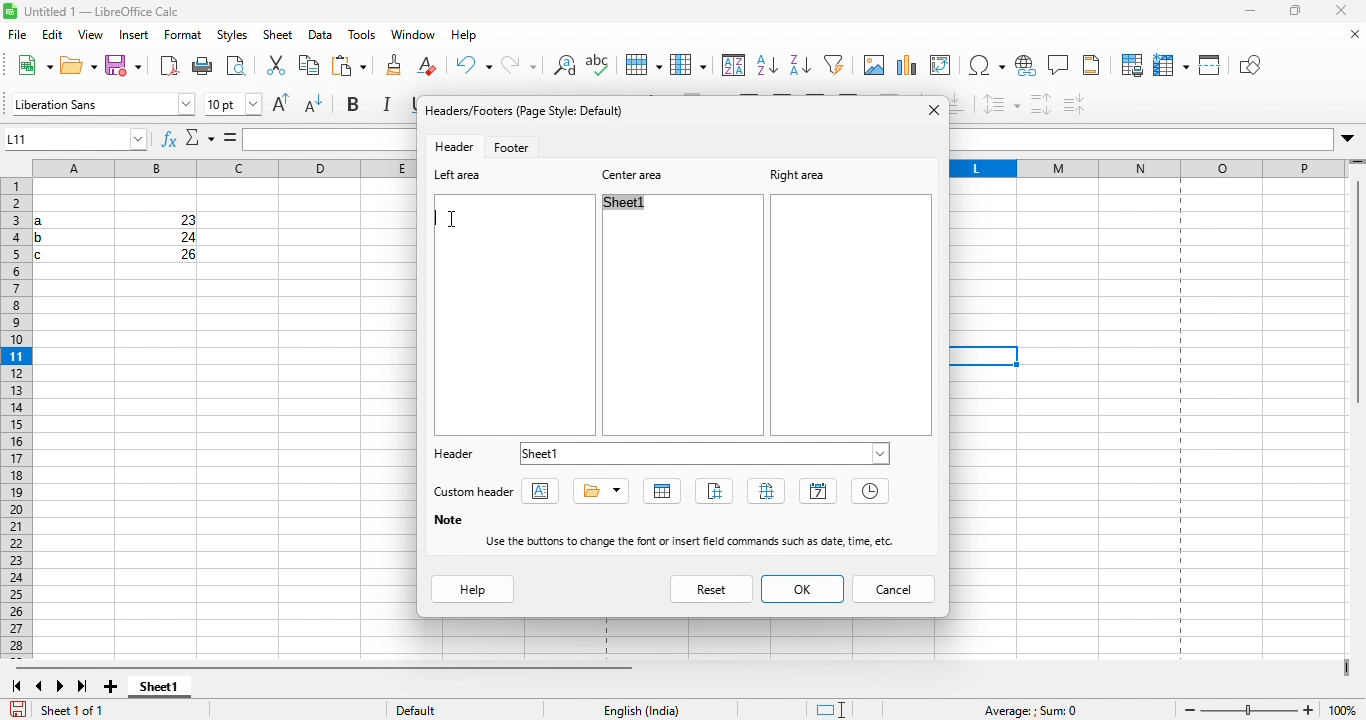  What do you see at coordinates (711, 454) in the screenshot?
I see `sheet 1` at bounding box center [711, 454].